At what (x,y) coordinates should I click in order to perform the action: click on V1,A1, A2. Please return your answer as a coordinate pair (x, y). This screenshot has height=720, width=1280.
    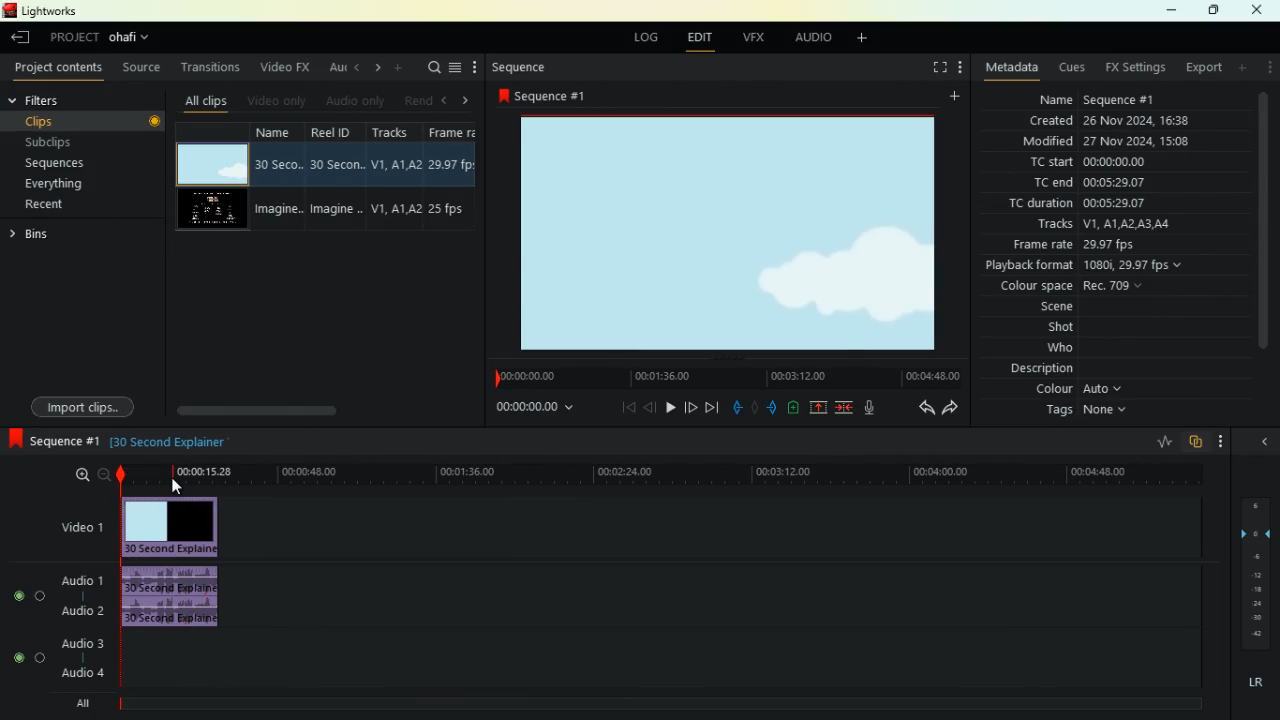
    Looking at the image, I should click on (395, 165).